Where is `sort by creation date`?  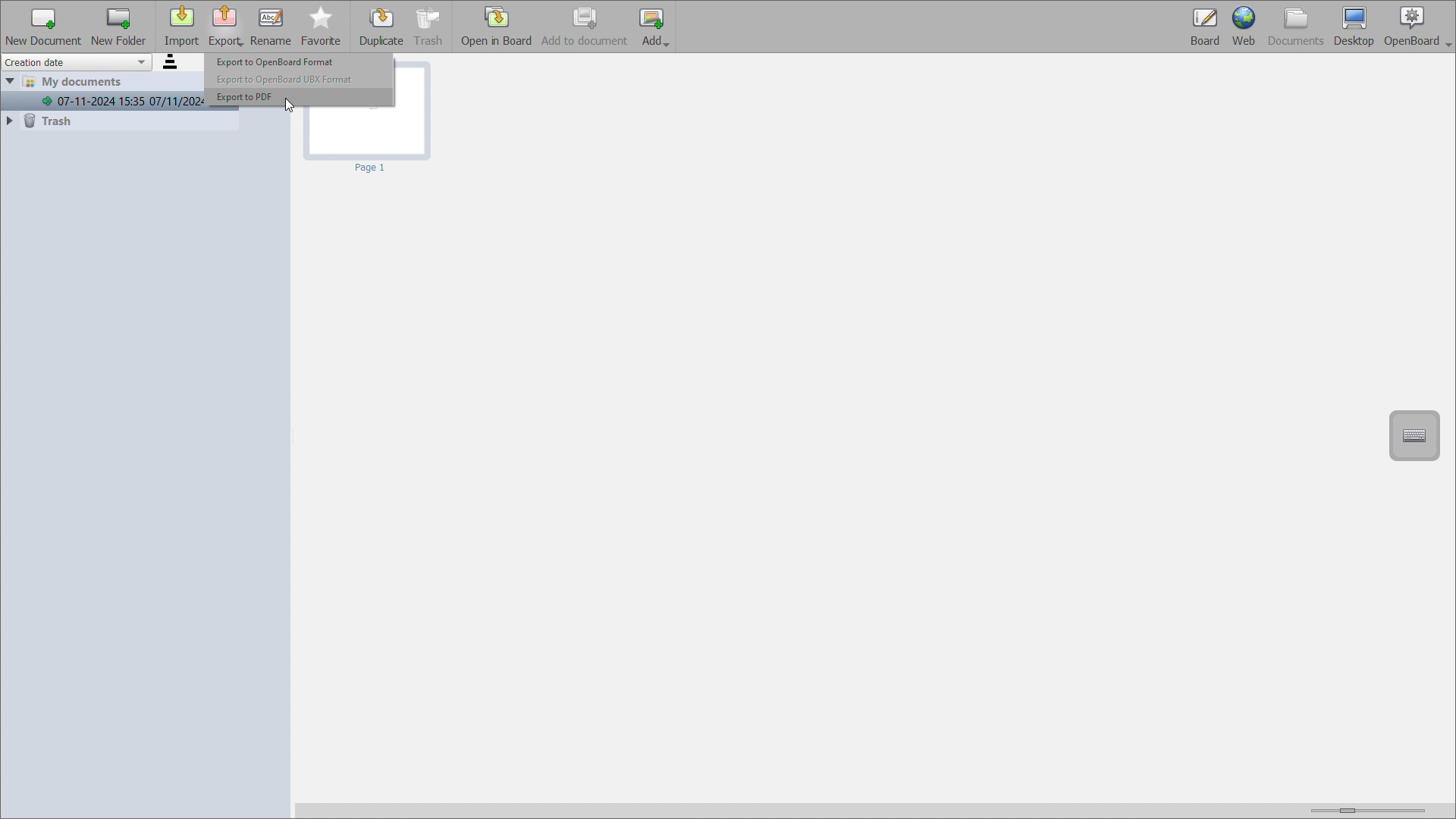 sort by creation date is located at coordinates (77, 62).